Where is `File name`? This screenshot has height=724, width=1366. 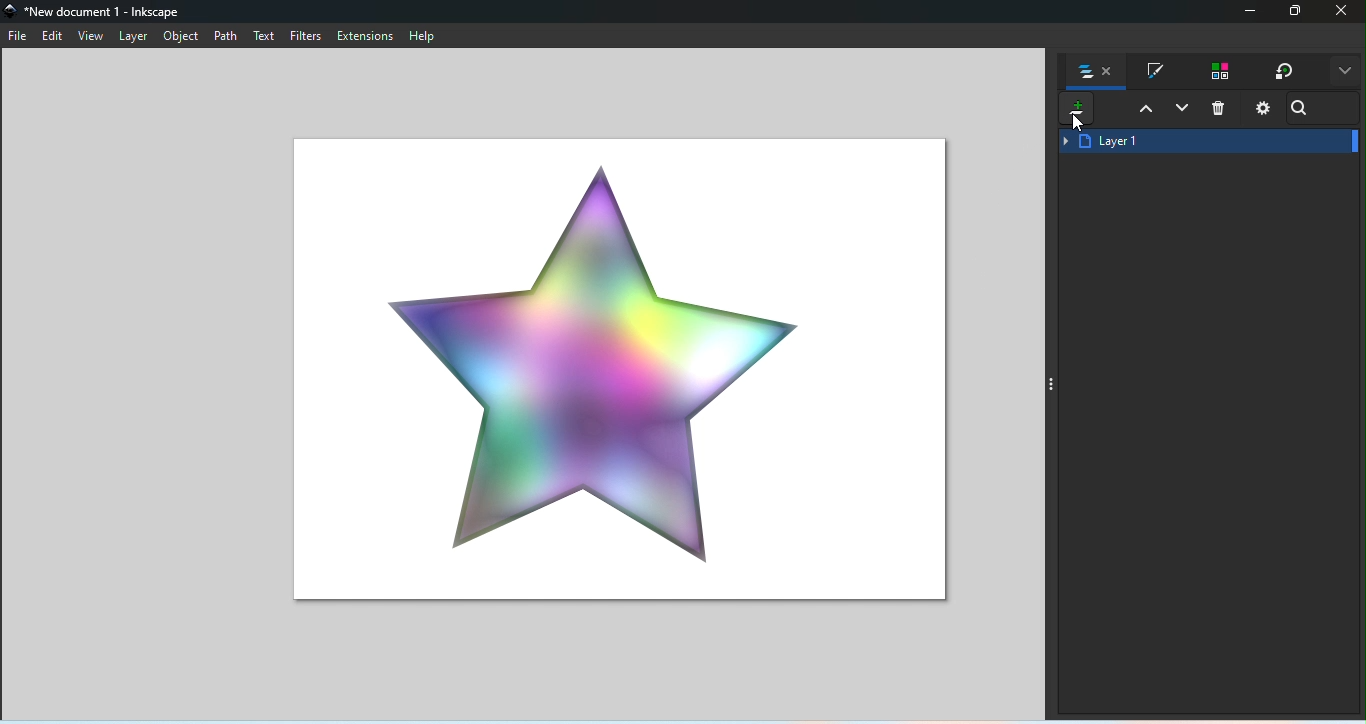 File name is located at coordinates (98, 11).